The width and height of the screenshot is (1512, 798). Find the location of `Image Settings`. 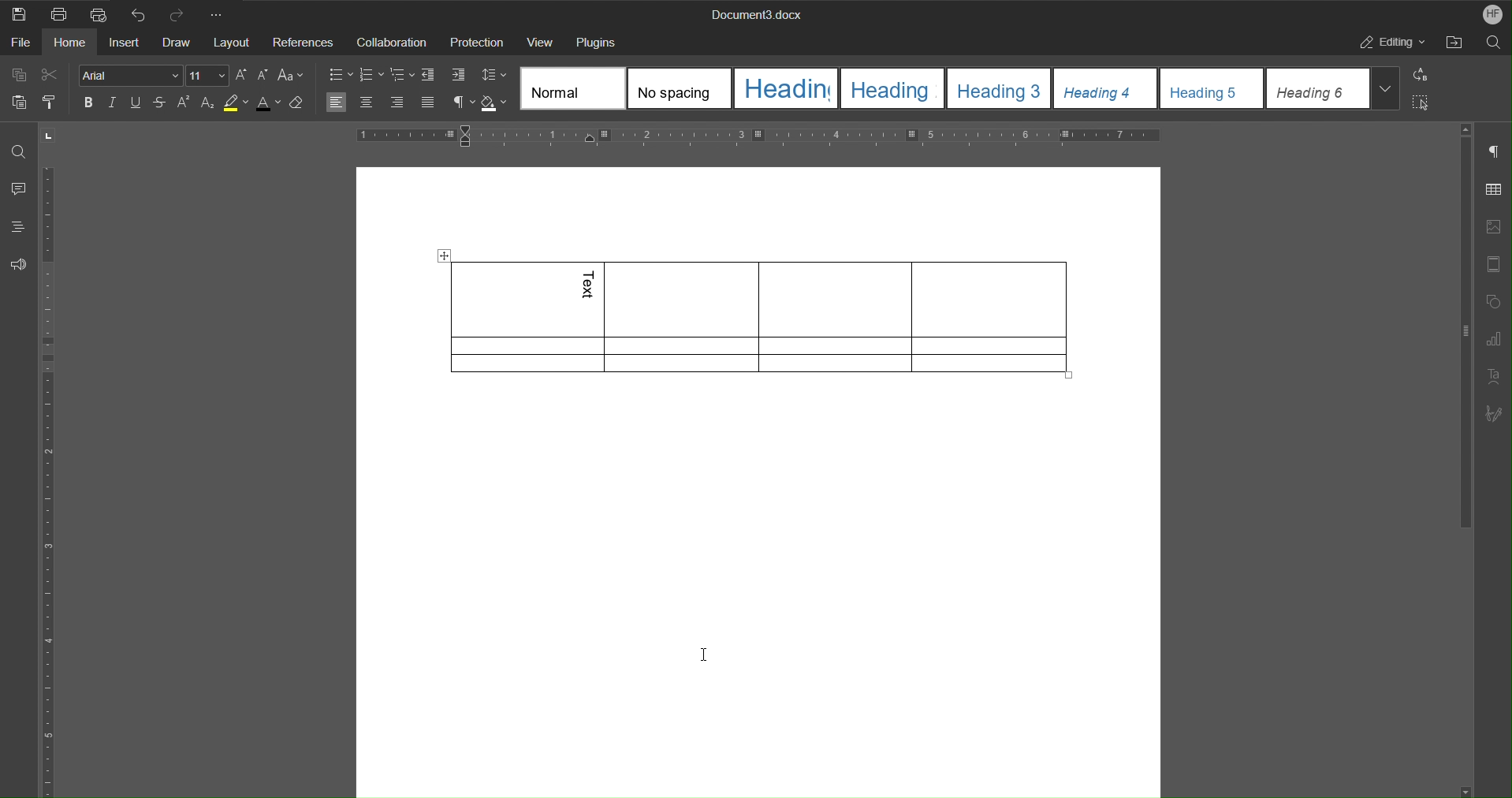

Image Settings is located at coordinates (1495, 226).